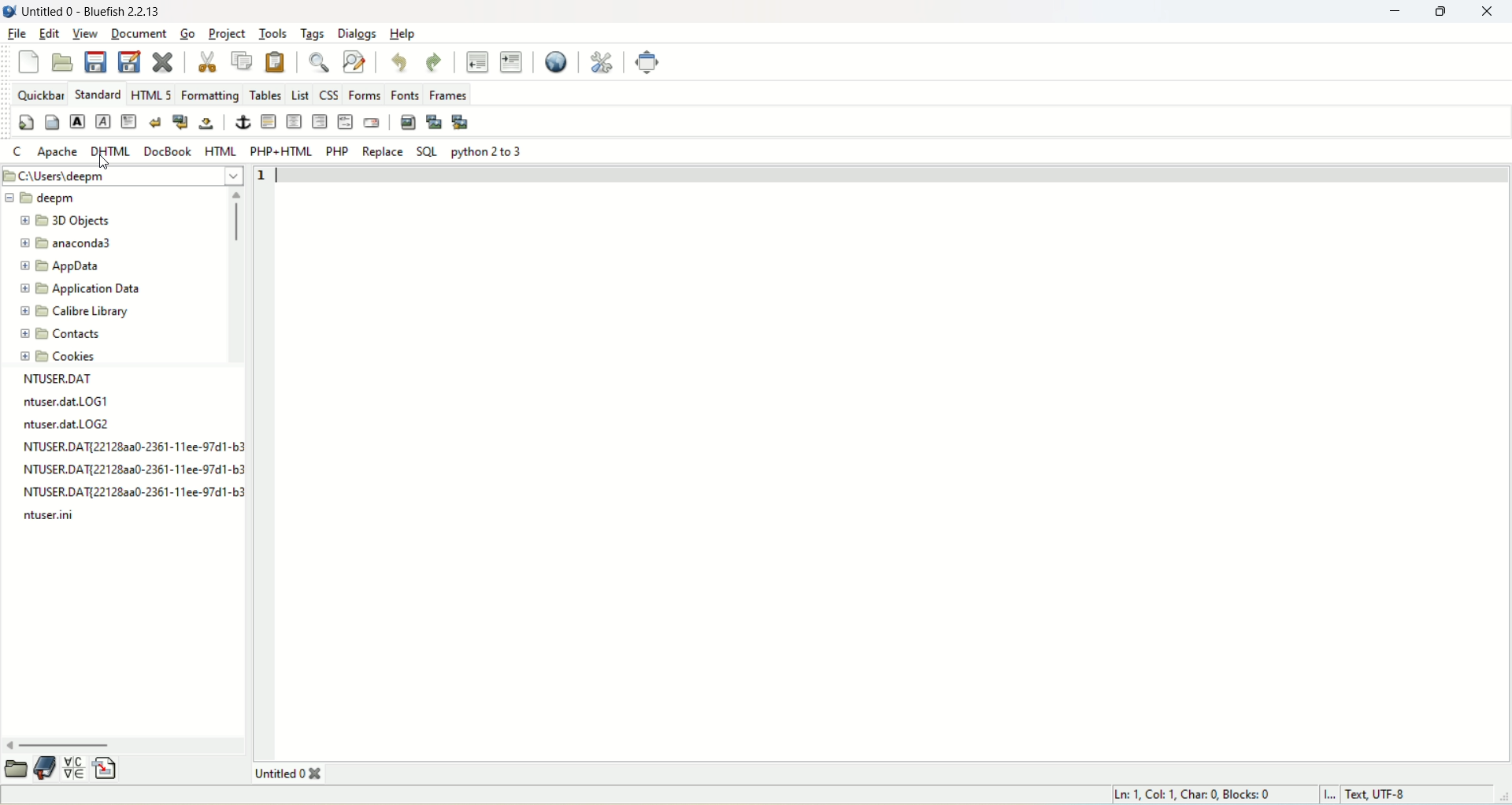 The width and height of the screenshot is (1512, 805). What do you see at coordinates (103, 121) in the screenshot?
I see `emphasize` at bounding box center [103, 121].